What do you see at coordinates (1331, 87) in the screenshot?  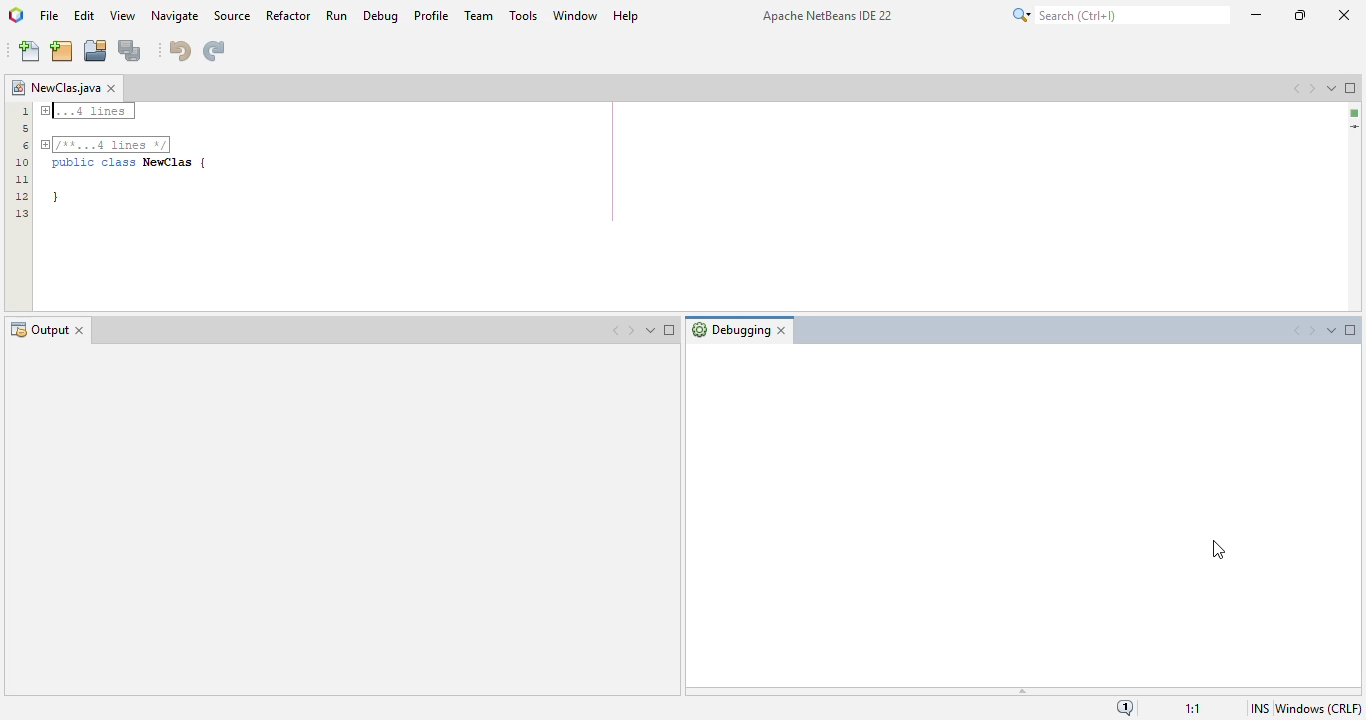 I see `show opened documents list` at bounding box center [1331, 87].